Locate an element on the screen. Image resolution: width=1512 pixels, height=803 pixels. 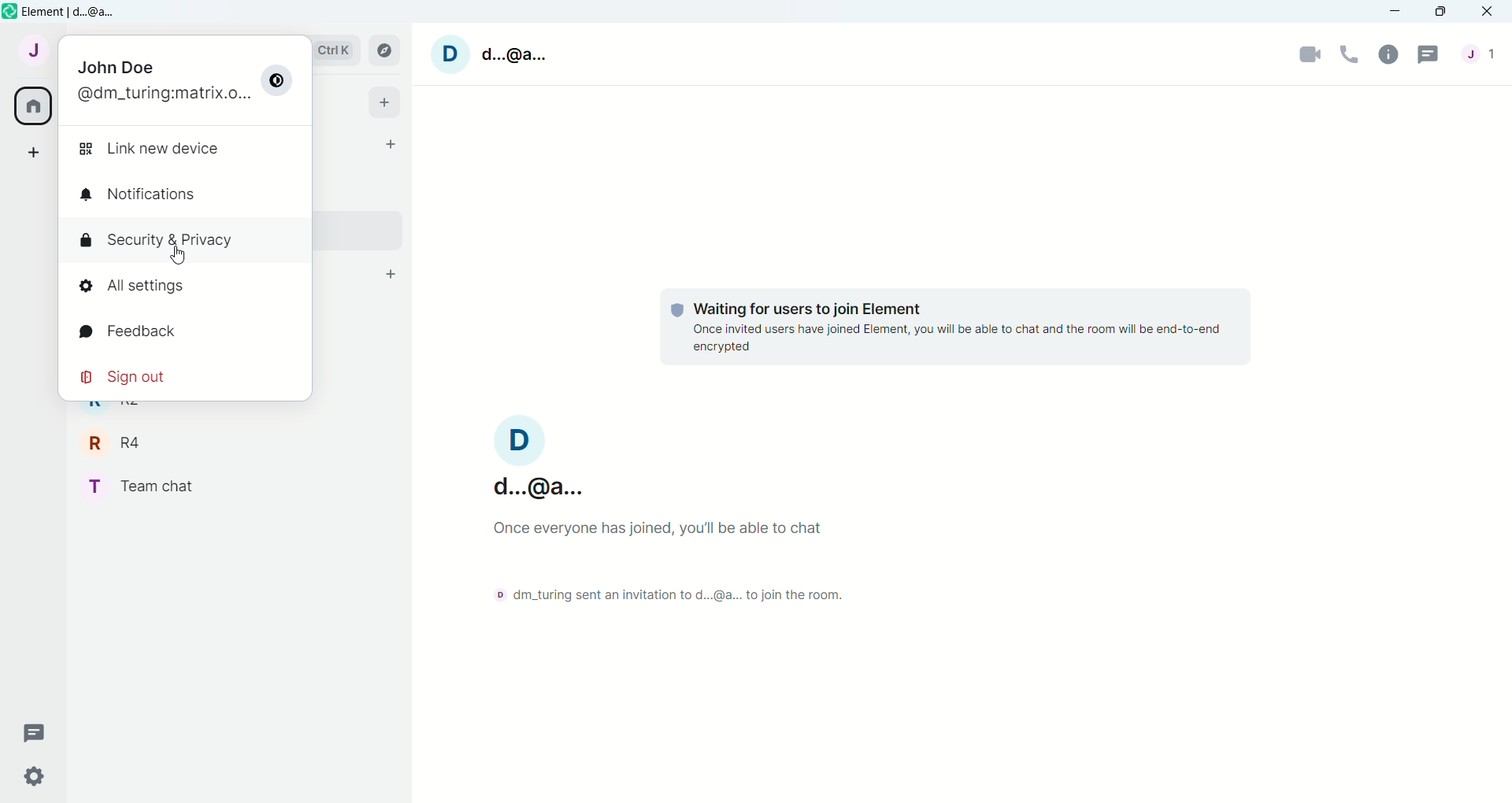
John Doe is located at coordinates (115, 67).